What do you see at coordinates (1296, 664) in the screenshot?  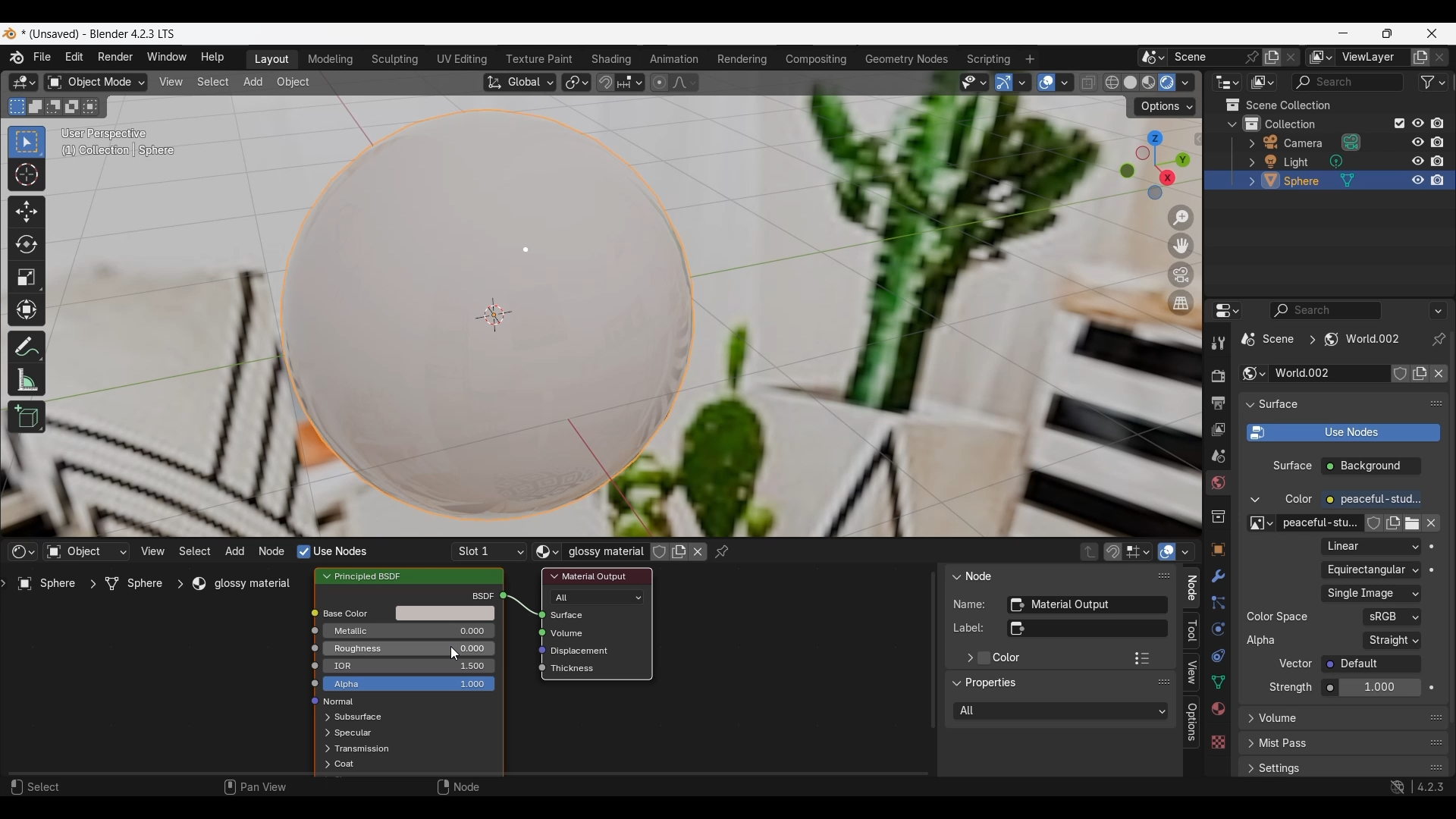 I see `Vector` at bounding box center [1296, 664].